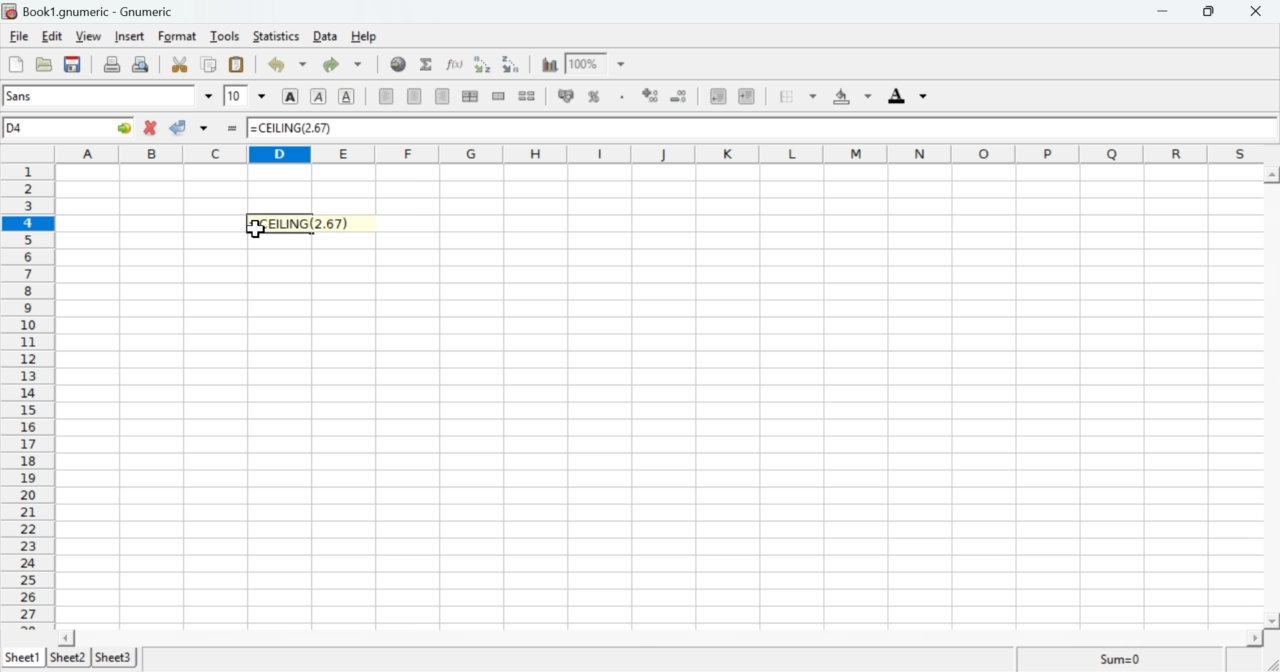 The image size is (1280, 672). Describe the element at coordinates (290, 96) in the screenshot. I see `Bold` at that location.